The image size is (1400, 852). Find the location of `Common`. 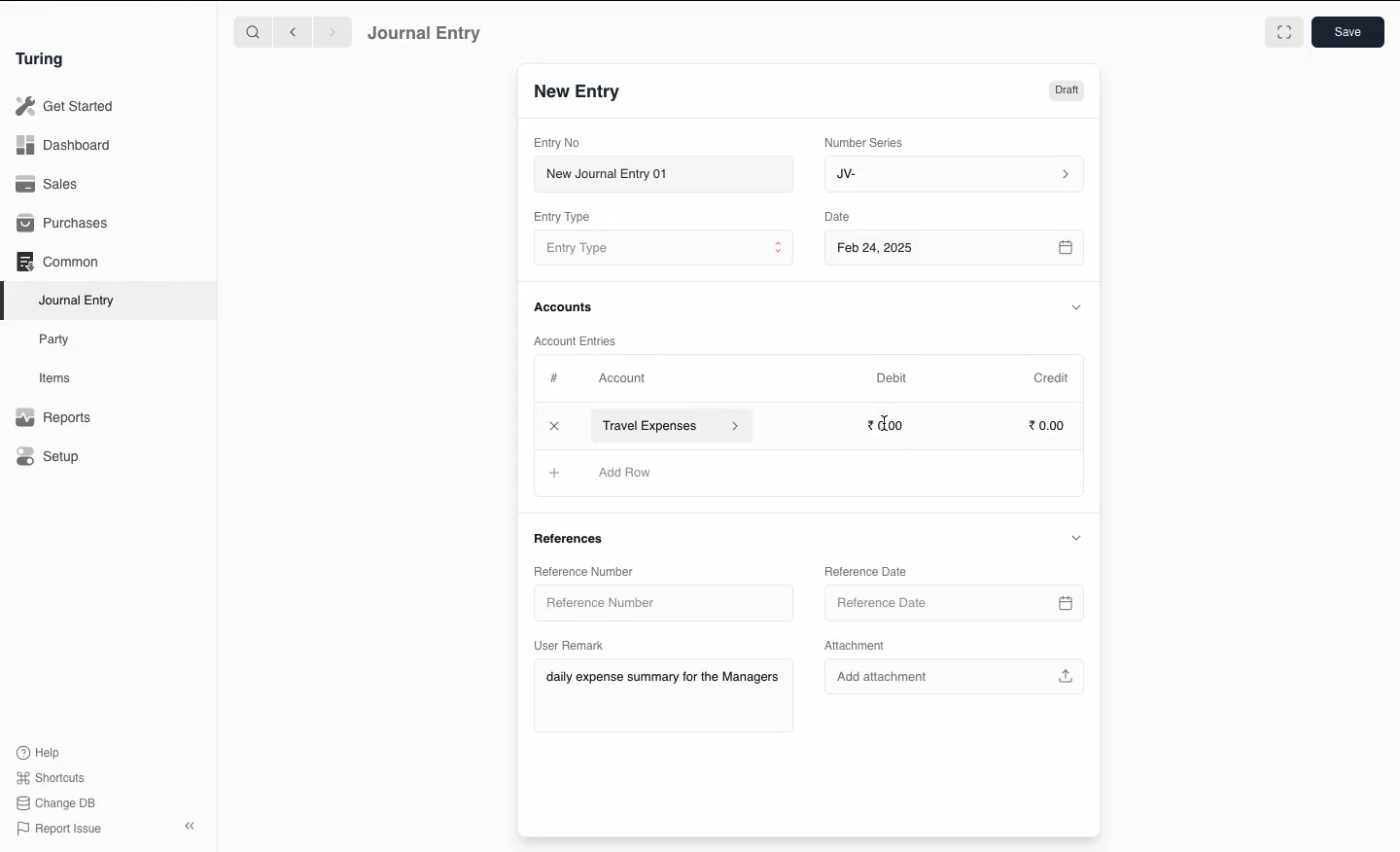

Common is located at coordinates (59, 262).